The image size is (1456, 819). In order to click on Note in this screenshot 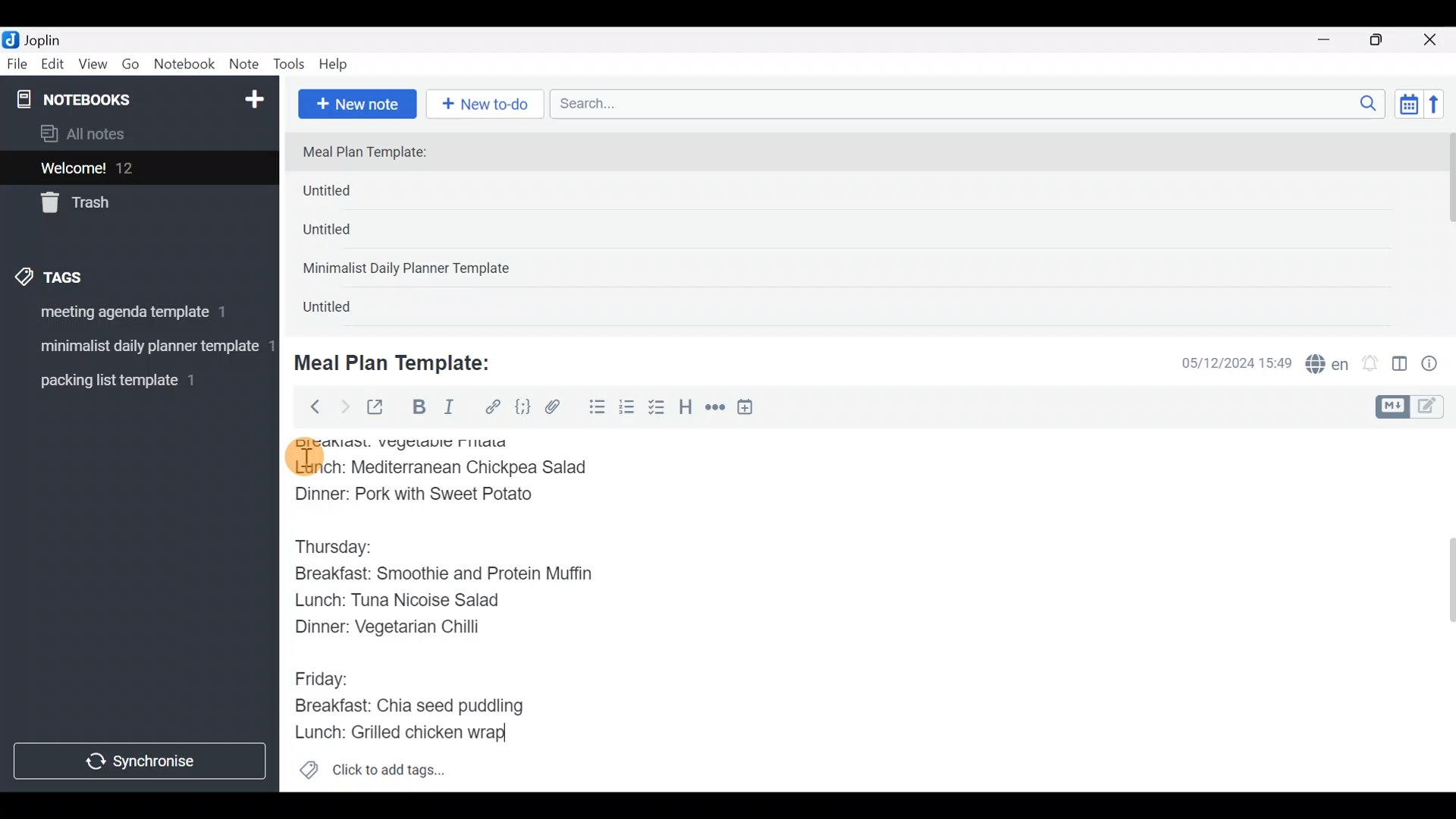, I will do `click(247, 65)`.